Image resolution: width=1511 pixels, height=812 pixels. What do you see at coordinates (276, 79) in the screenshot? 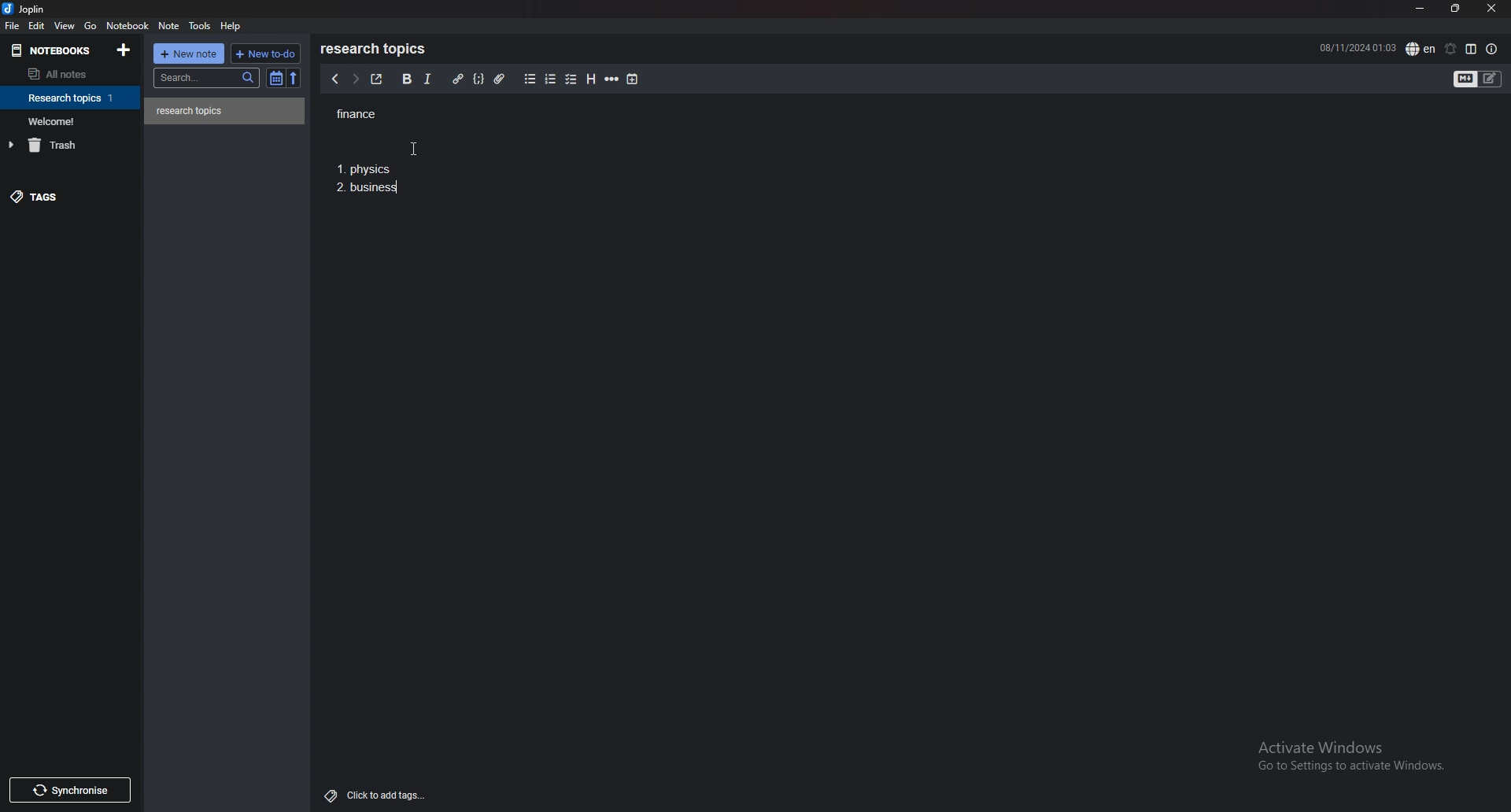
I see `toggle sort order` at bounding box center [276, 79].